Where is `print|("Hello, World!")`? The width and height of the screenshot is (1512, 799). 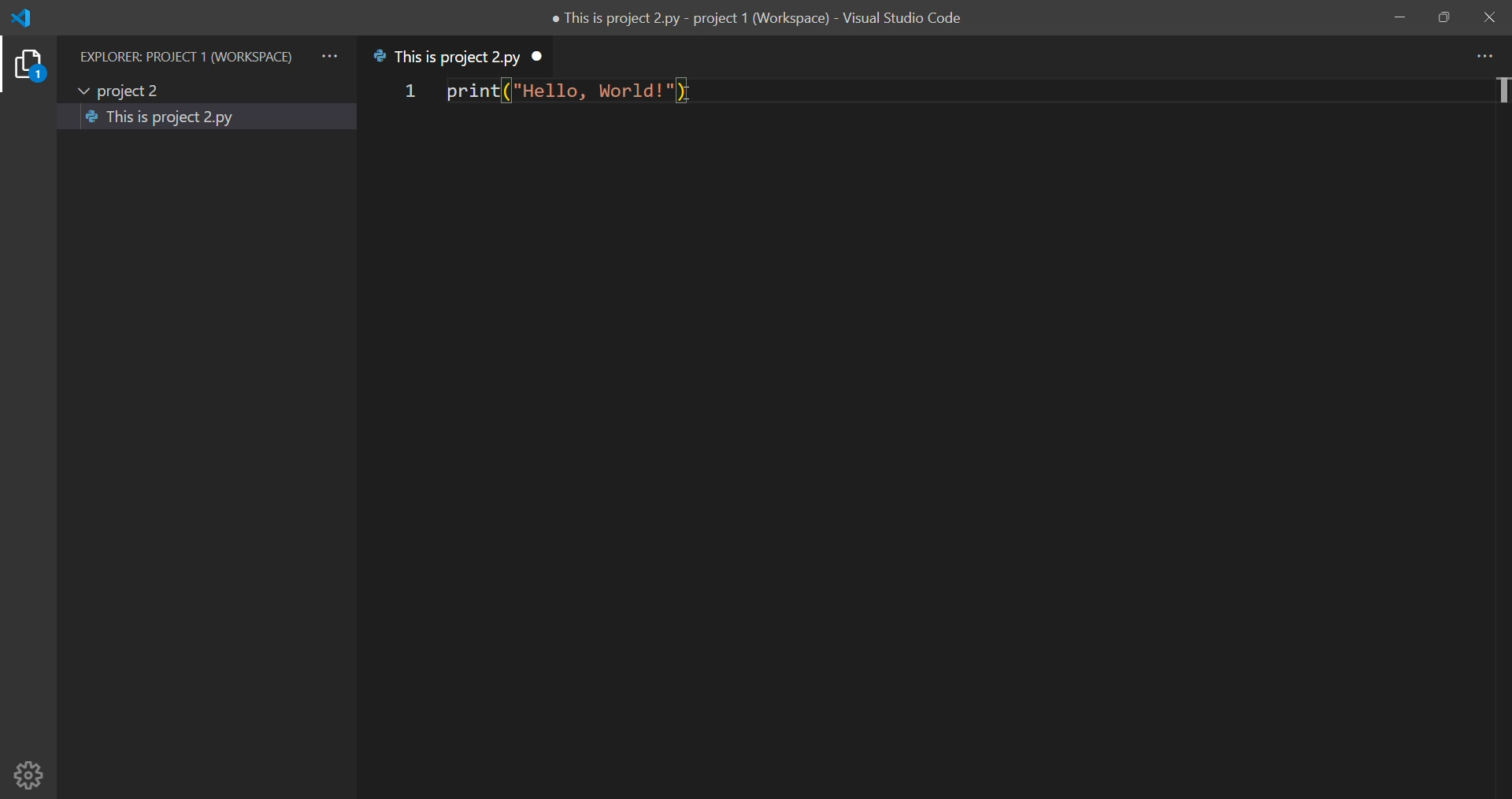 print|("Hello, World!") is located at coordinates (574, 93).